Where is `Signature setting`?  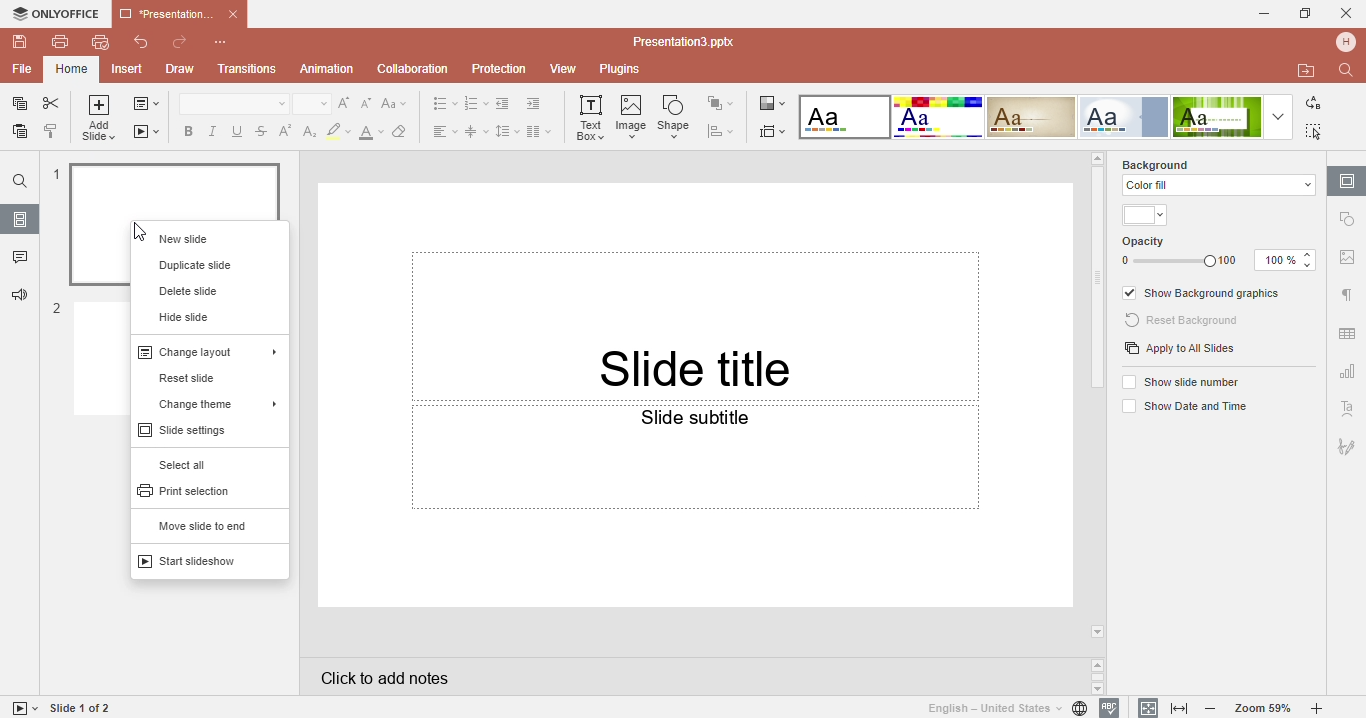 Signature setting is located at coordinates (1346, 443).